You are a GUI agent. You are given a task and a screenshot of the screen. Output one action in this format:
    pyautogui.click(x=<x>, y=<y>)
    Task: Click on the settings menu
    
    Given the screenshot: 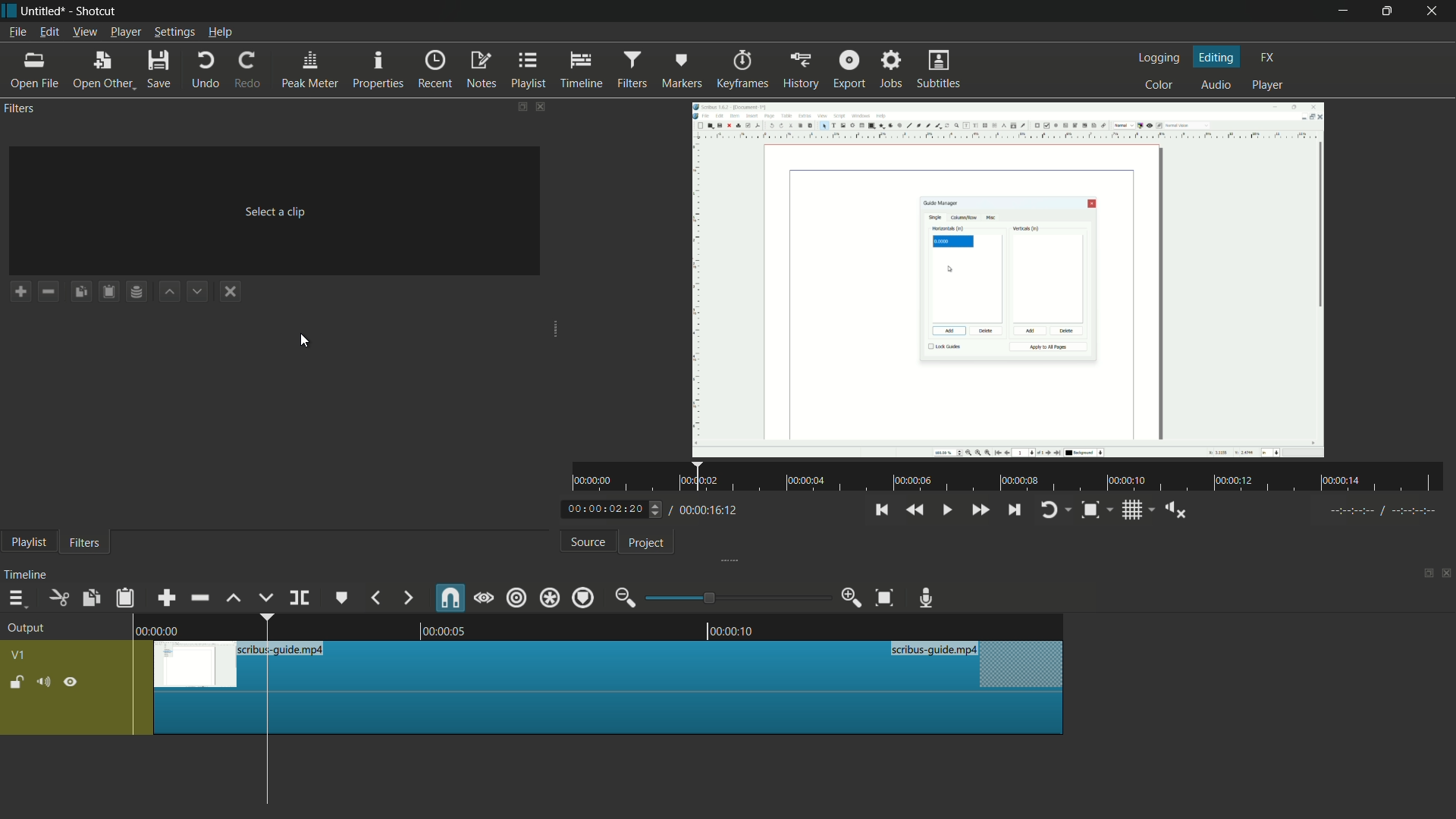 What is the action you would take?
    pyautogui.click(x=172, y=32)
    